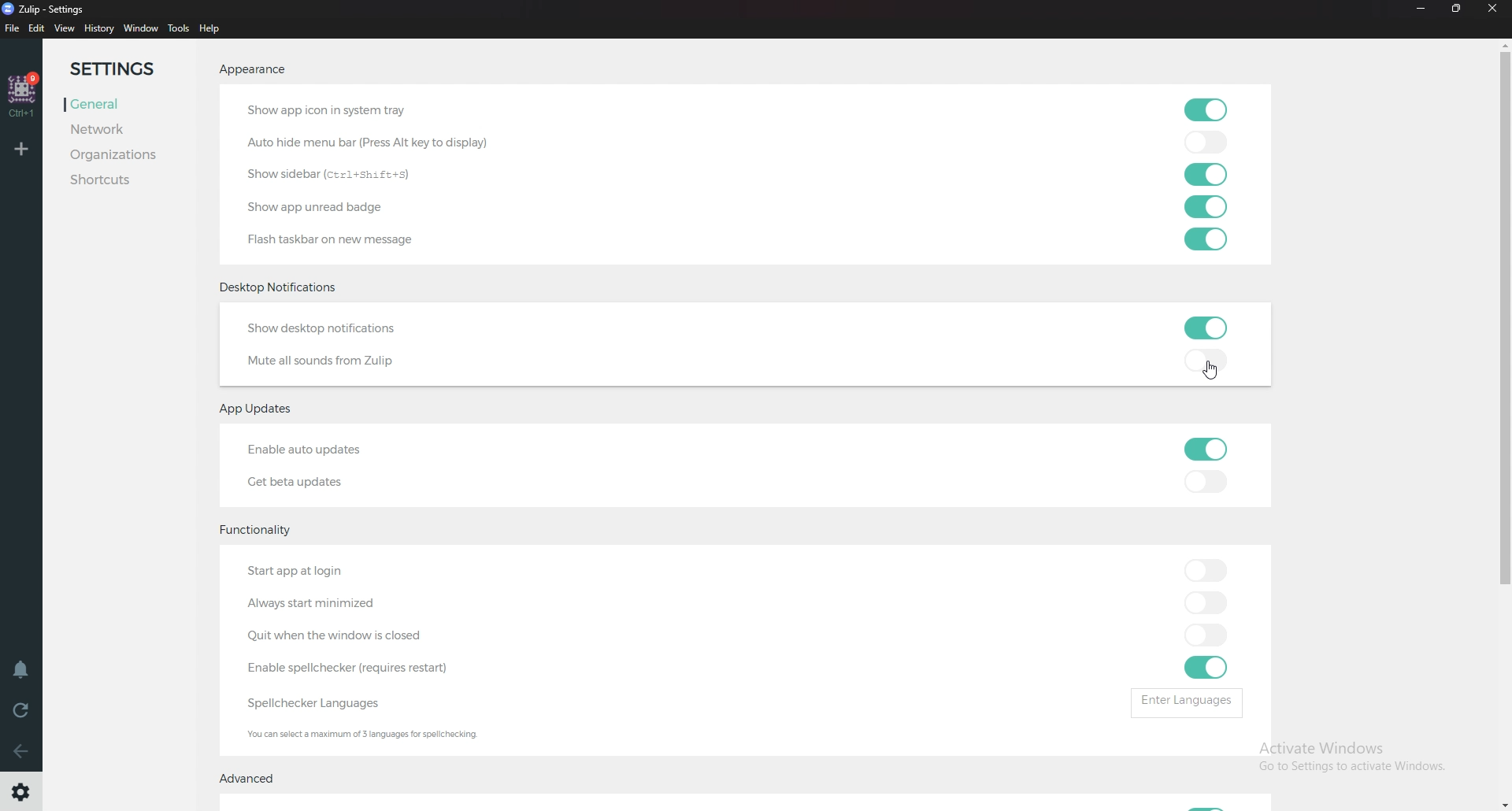 The width and height of the screenshot is (1512, 811). I want to click on Show desktop notifications, so click(351, 327).